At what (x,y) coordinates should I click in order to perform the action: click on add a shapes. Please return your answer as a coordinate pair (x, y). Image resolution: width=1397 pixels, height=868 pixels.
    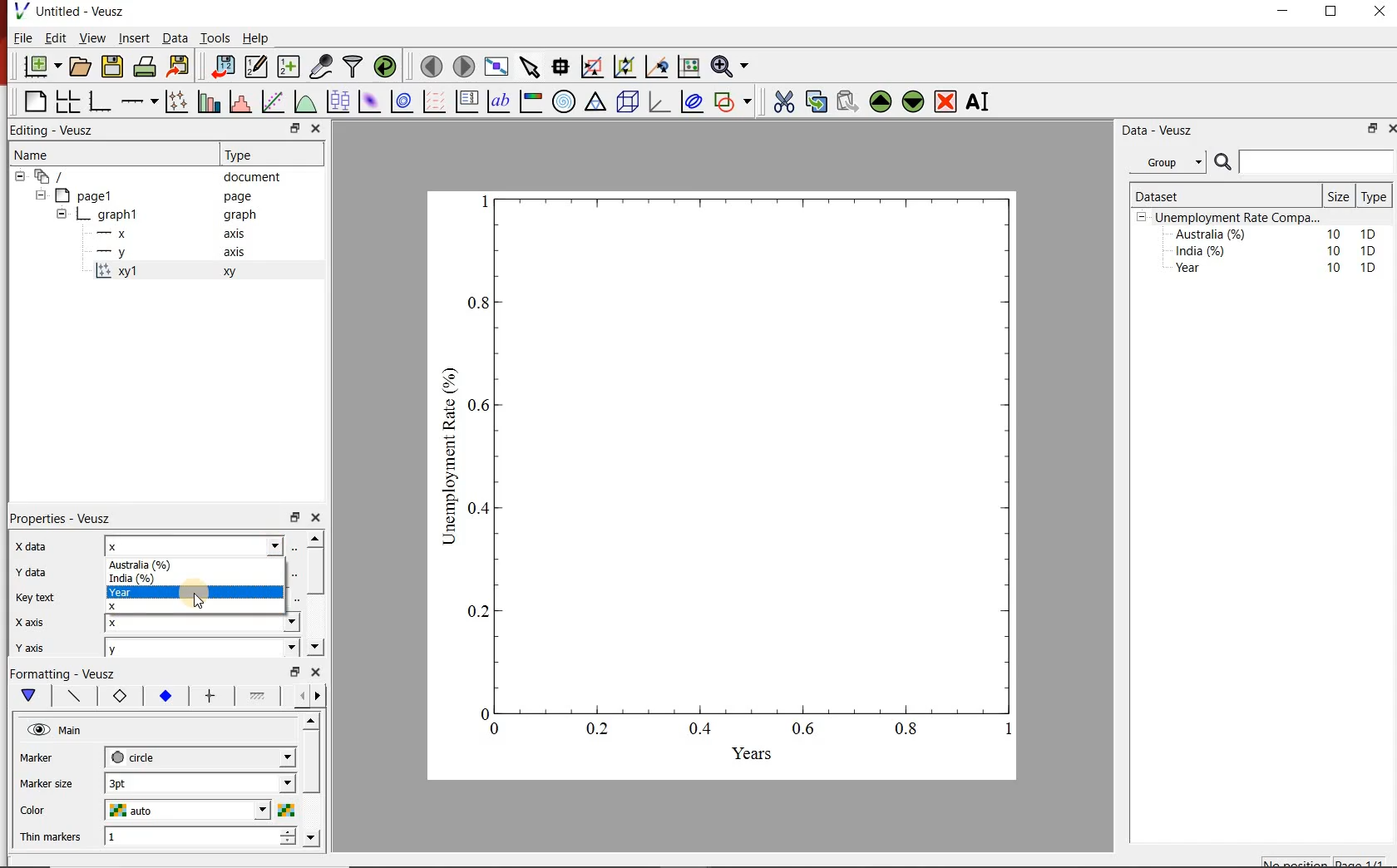
    Looking at the image, I should click on (733, 101).